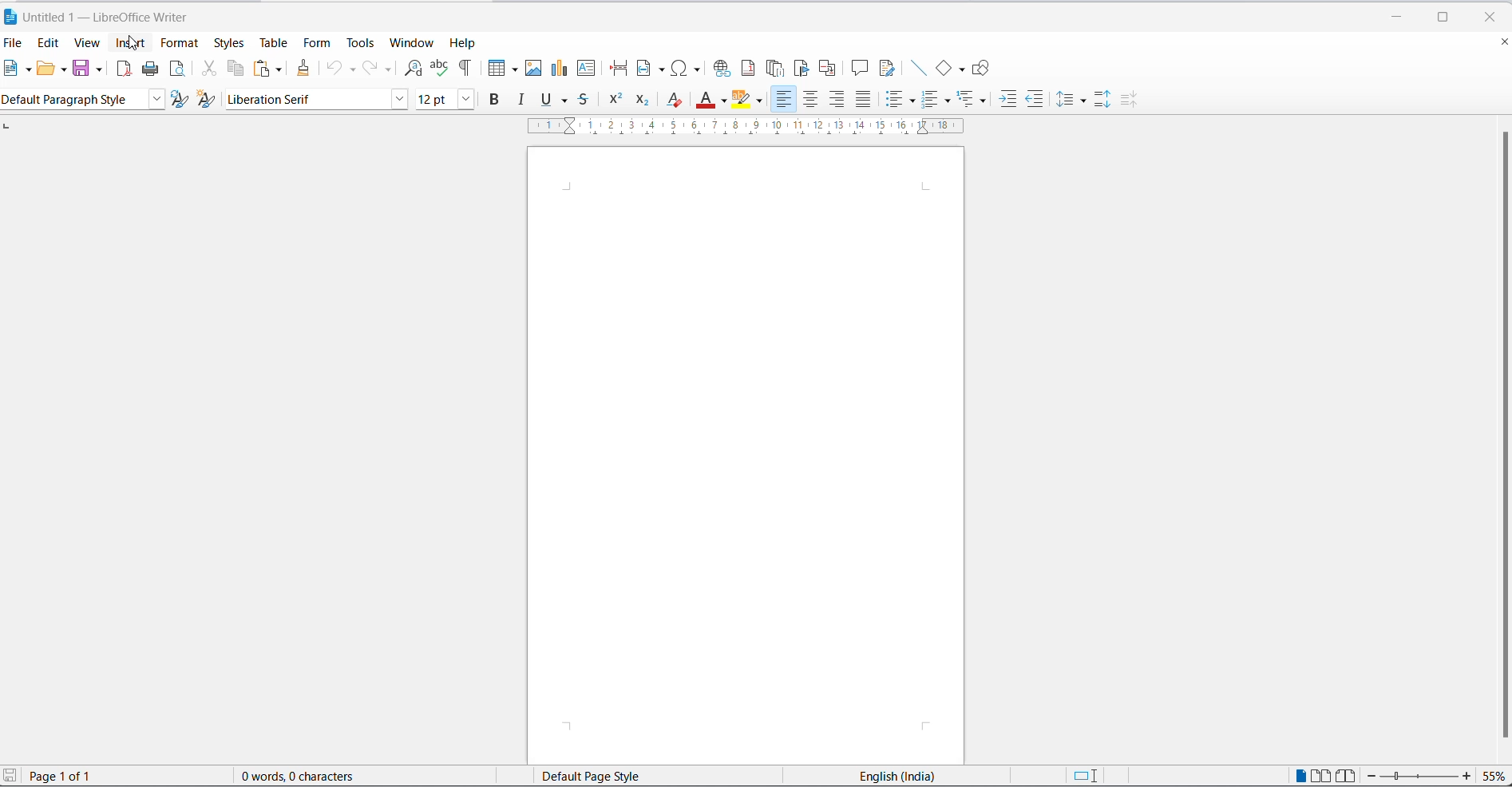  Describe the element at coordinates (948, 100) in the screenshot. I see `toggle ordered list options` at that location.